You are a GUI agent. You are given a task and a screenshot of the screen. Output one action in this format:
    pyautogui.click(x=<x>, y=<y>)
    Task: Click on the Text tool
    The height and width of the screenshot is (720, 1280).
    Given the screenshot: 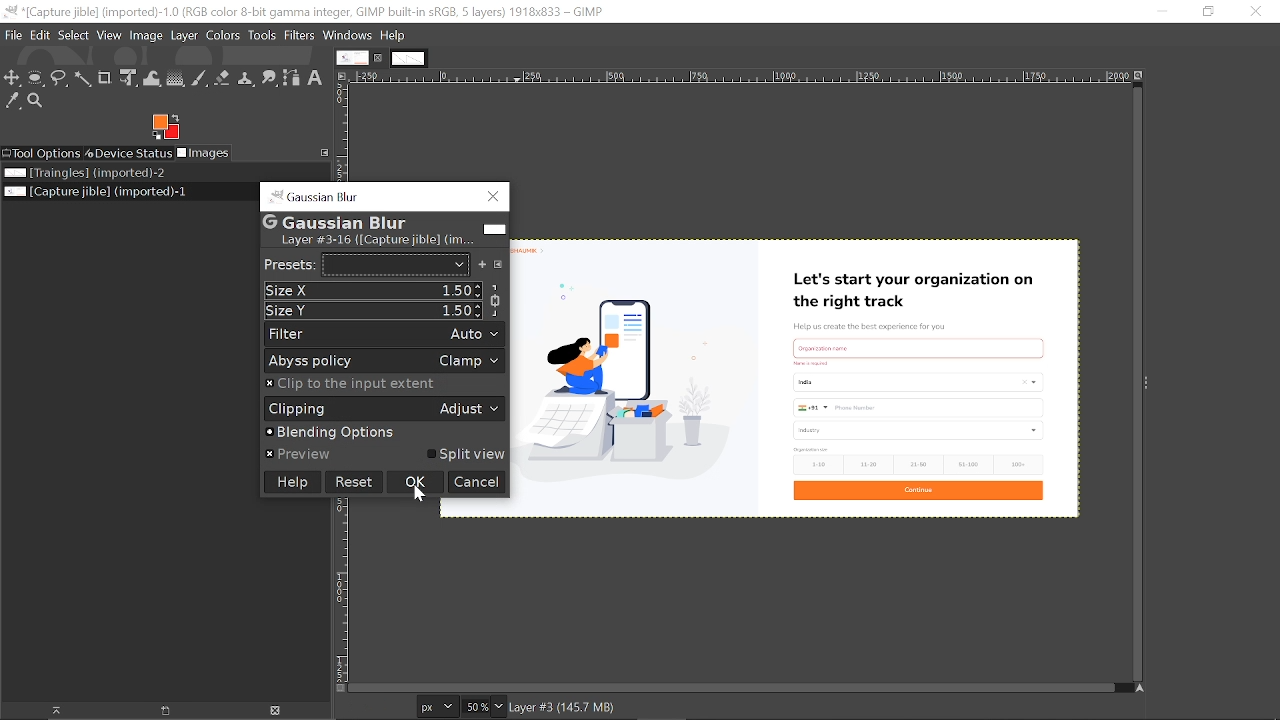 What is the action you would take?
    pyautogui.click(x=316, y=79)
    